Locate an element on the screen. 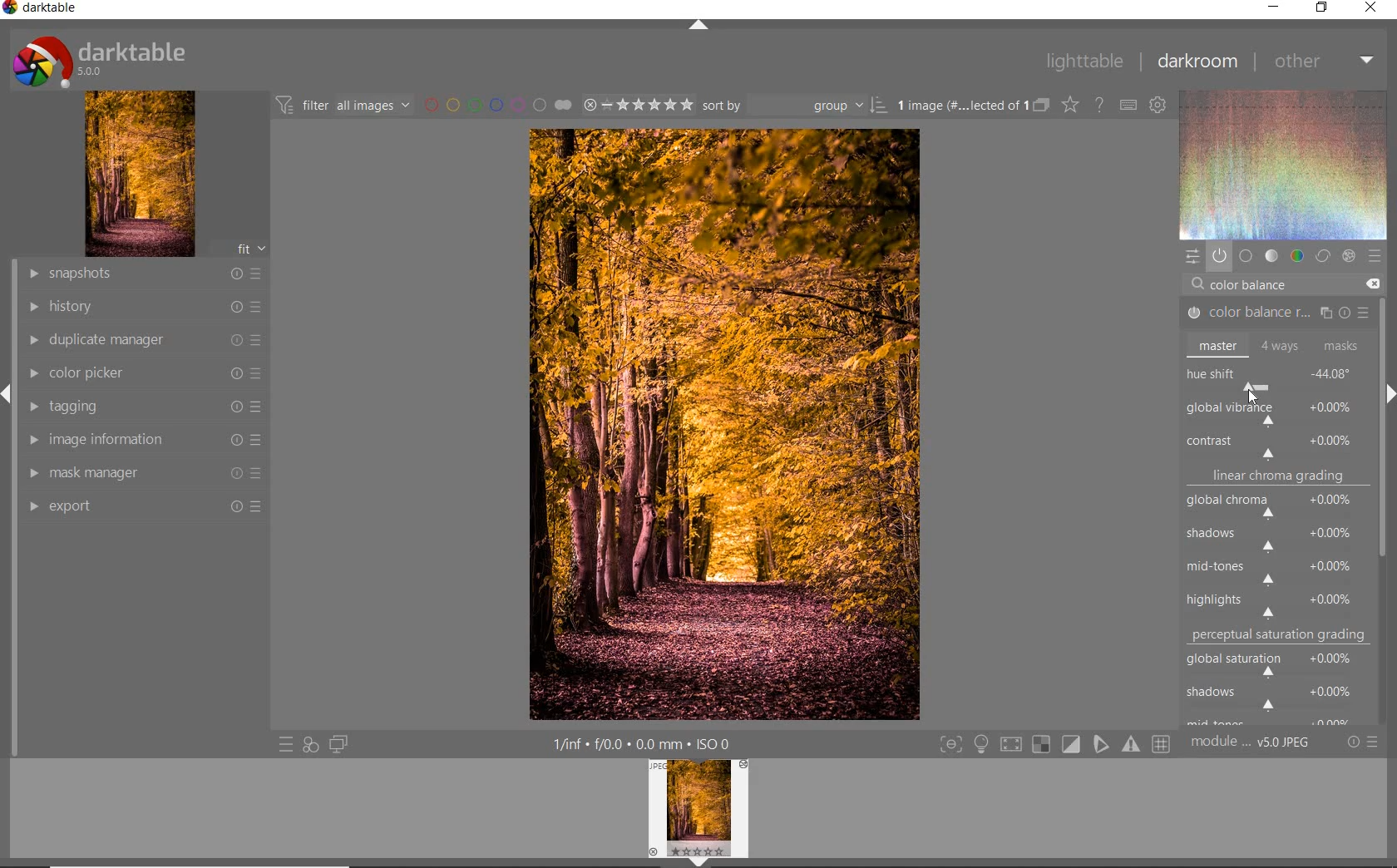 The image size is (1397, 868). effect is located at coordinates (1349, 254).